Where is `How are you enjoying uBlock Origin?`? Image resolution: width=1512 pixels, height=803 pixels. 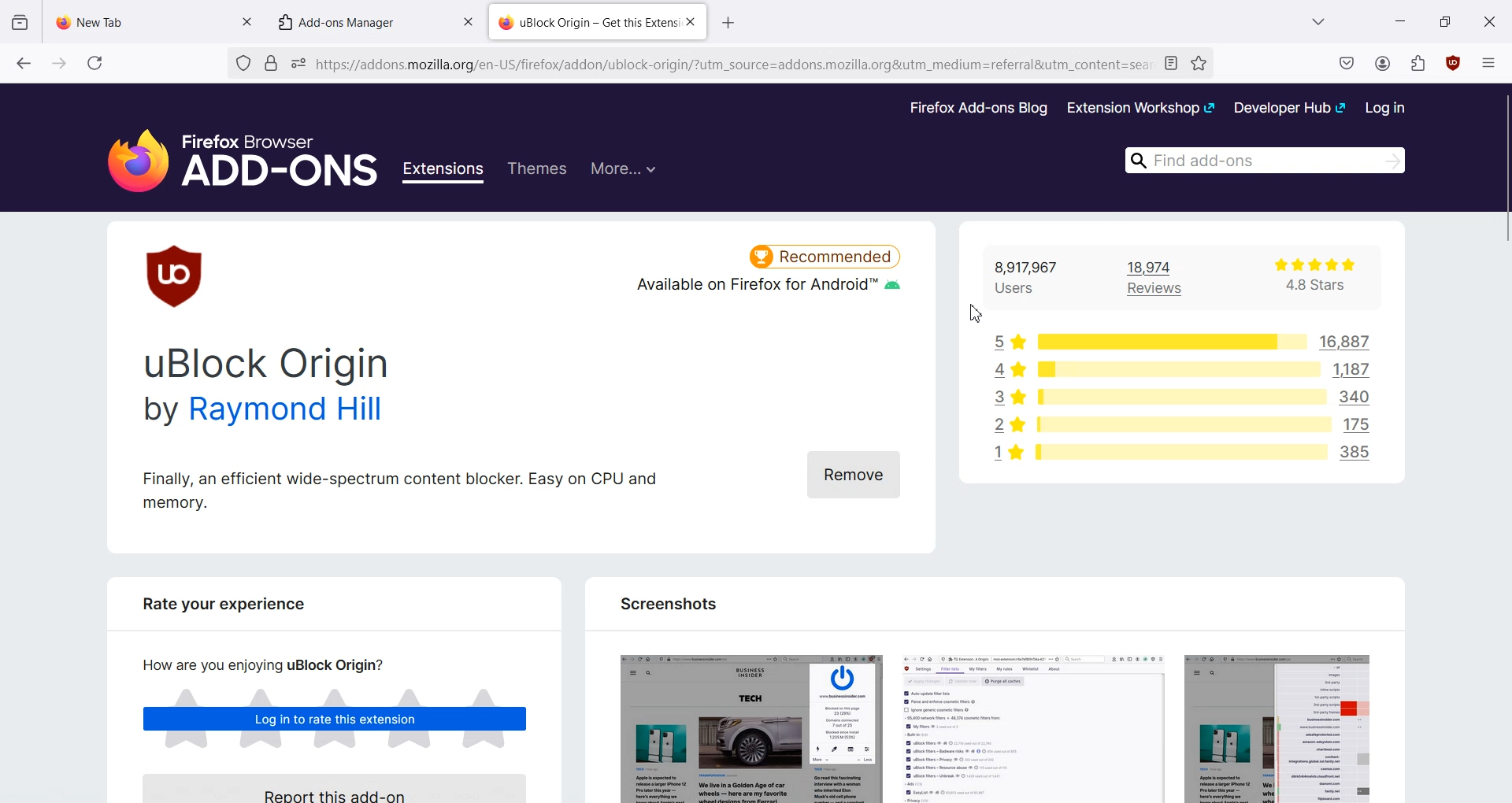 How are you enjoying uBlock Origin? is located at coordinates (257, 664).